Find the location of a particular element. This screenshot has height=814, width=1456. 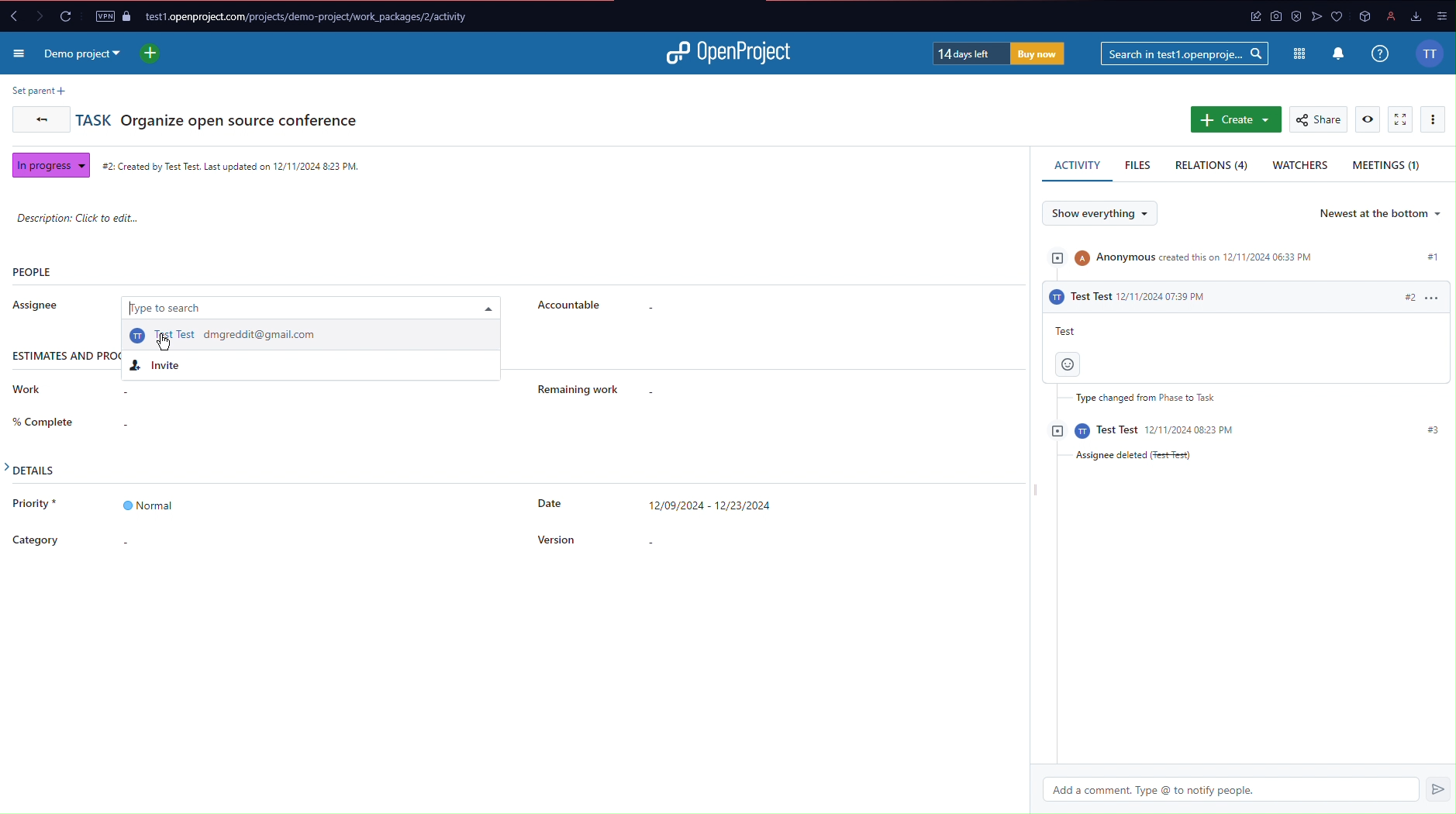

Priority is located at coordinates (91, 504).